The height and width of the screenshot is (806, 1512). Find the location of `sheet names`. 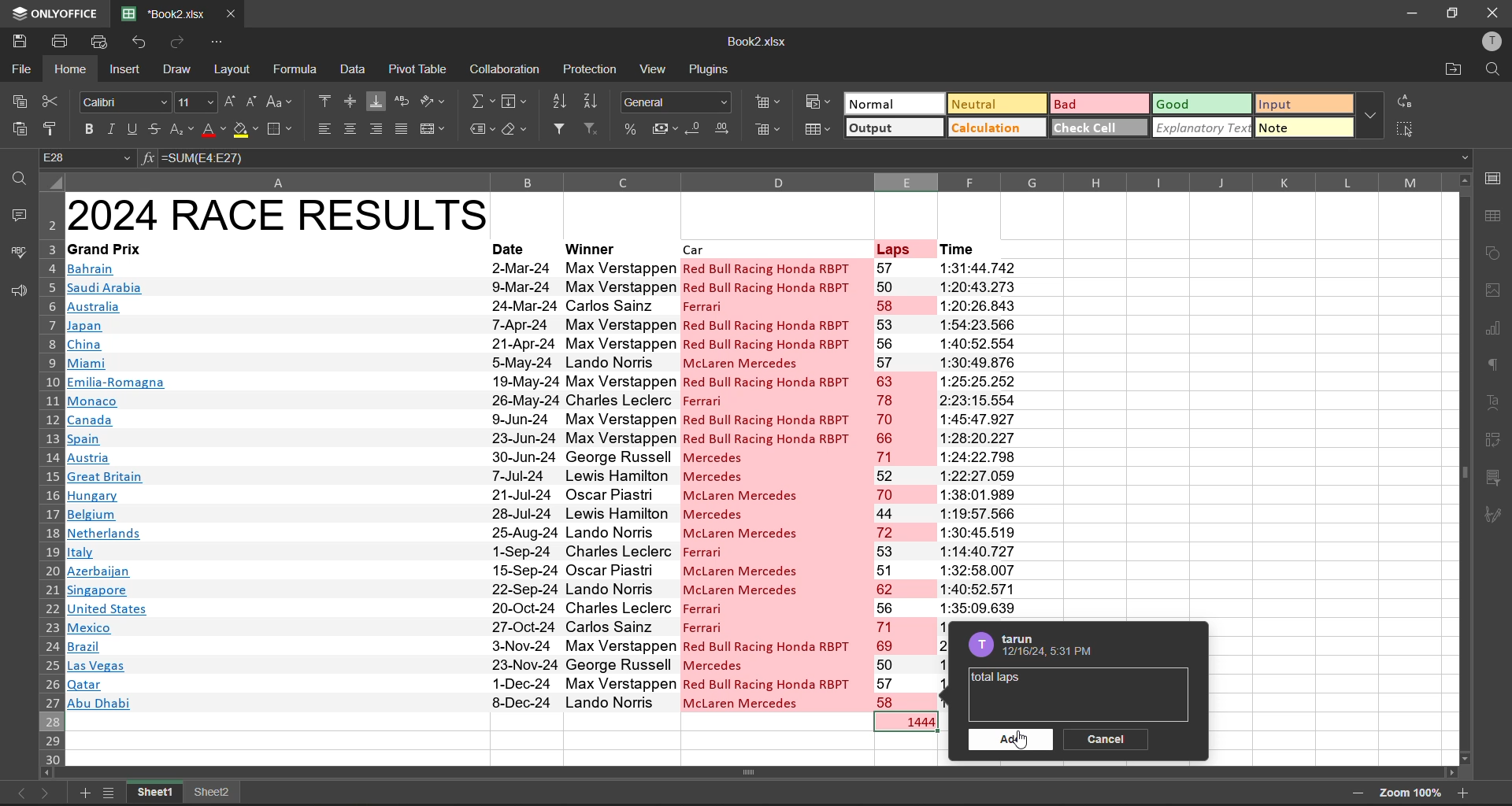

sheet names is located at coordinates (213, 793).